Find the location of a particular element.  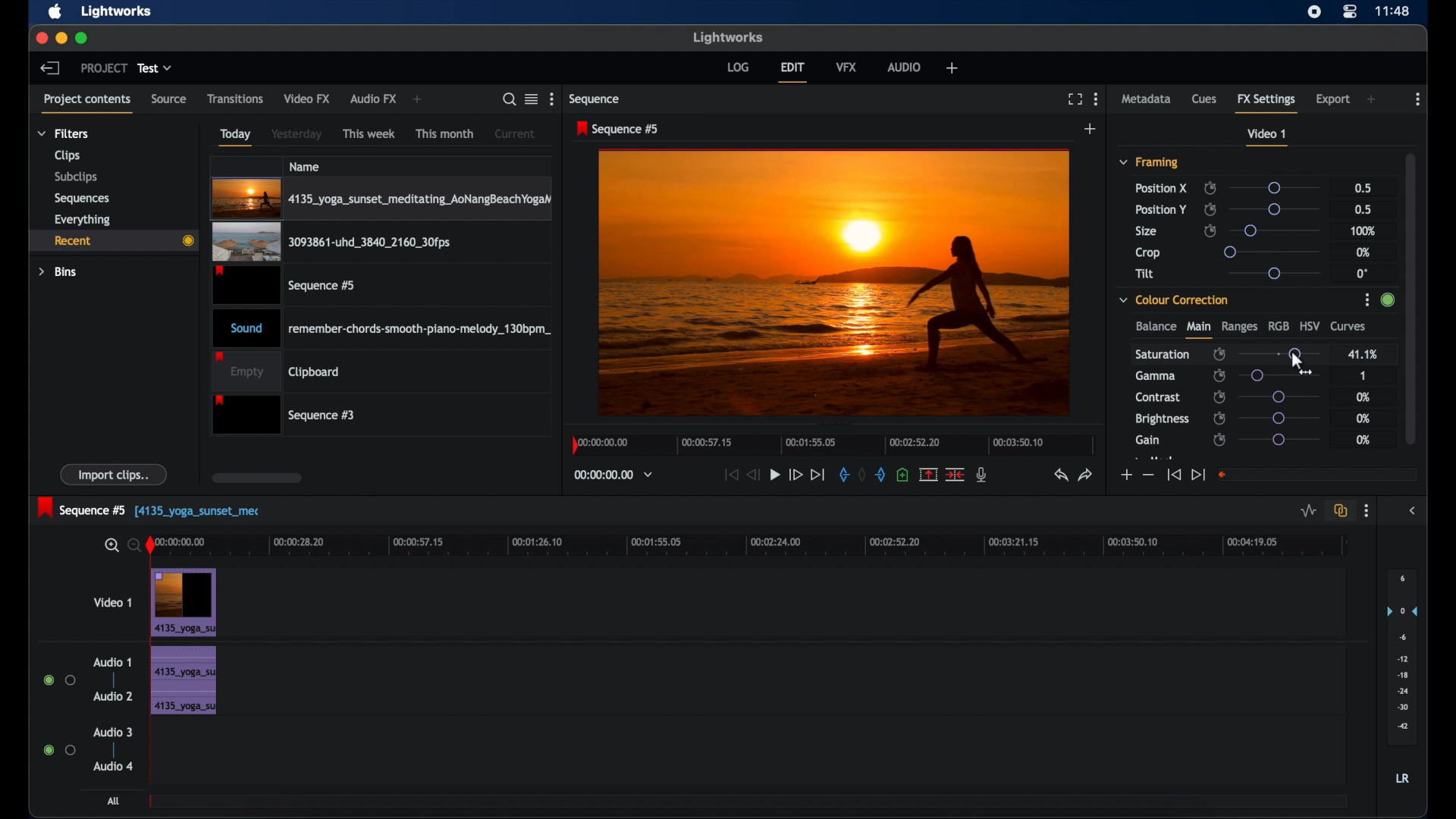

lightworks is located at coordinates (728, 37).